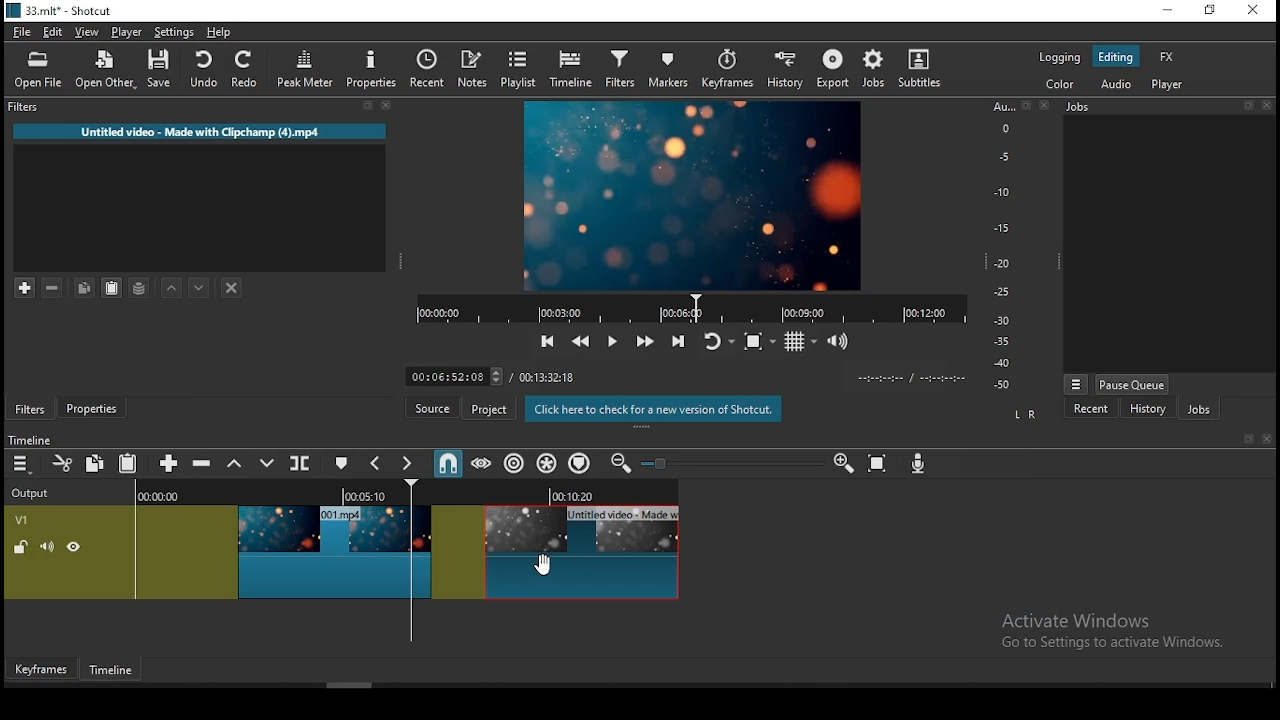 The width and height of the screenshot is (1280, 720). I want to click on keyframes, so click(728, 69).